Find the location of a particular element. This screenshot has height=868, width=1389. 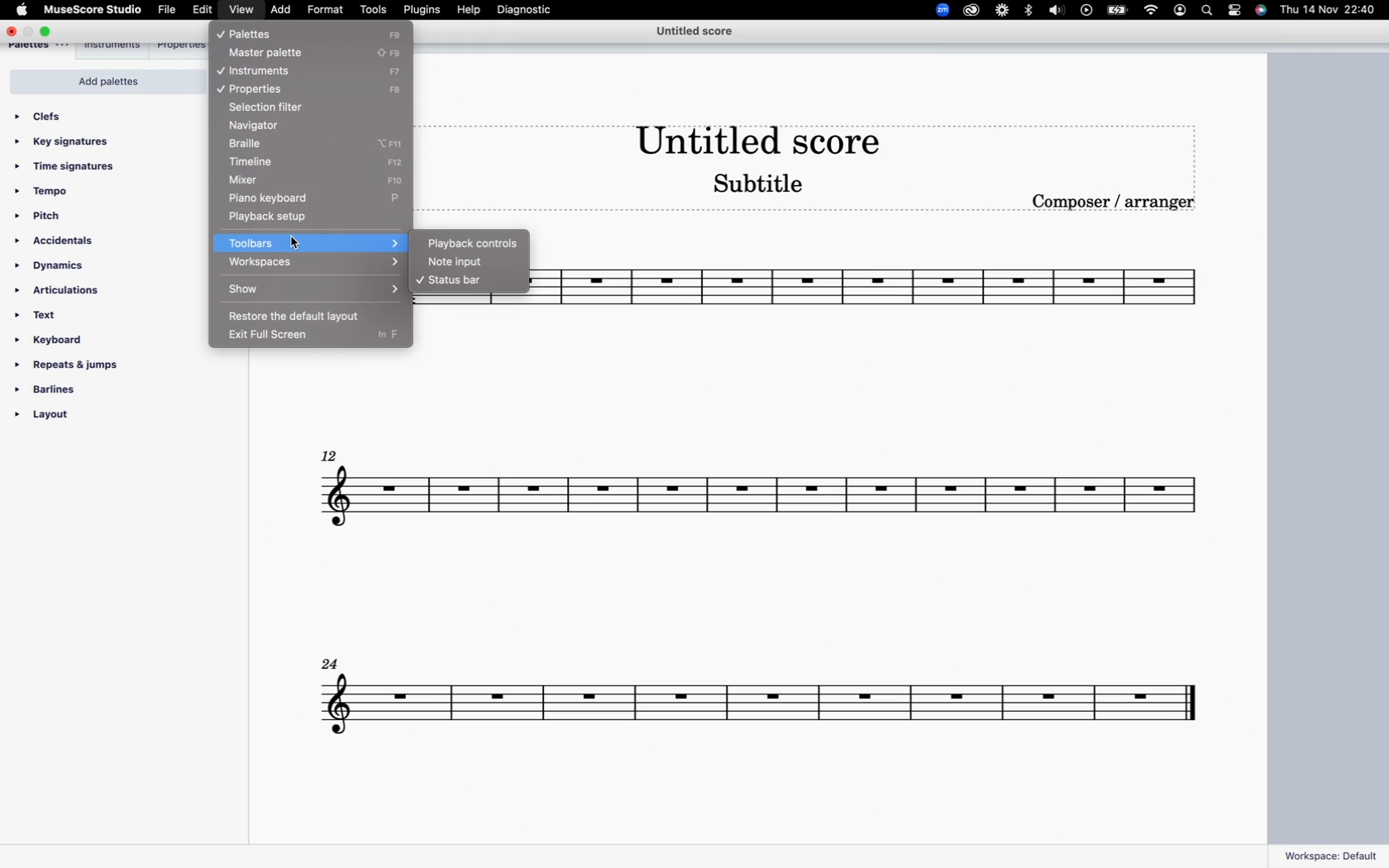

bluetooth is located at coordinates (1028, 11).